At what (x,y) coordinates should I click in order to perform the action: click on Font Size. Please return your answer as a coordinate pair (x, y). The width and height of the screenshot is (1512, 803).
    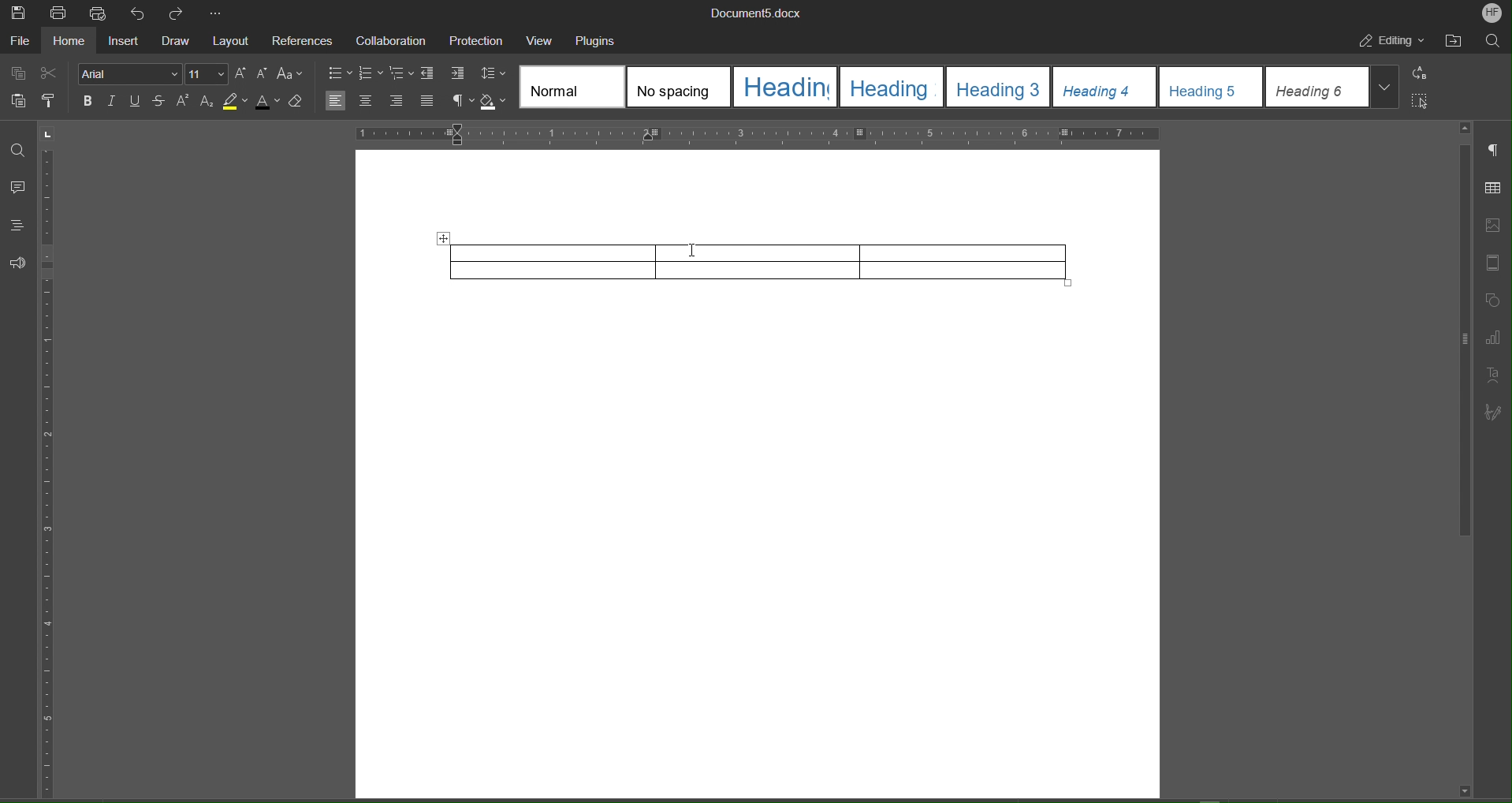
    Looking at the image, I should click on (206, 74).